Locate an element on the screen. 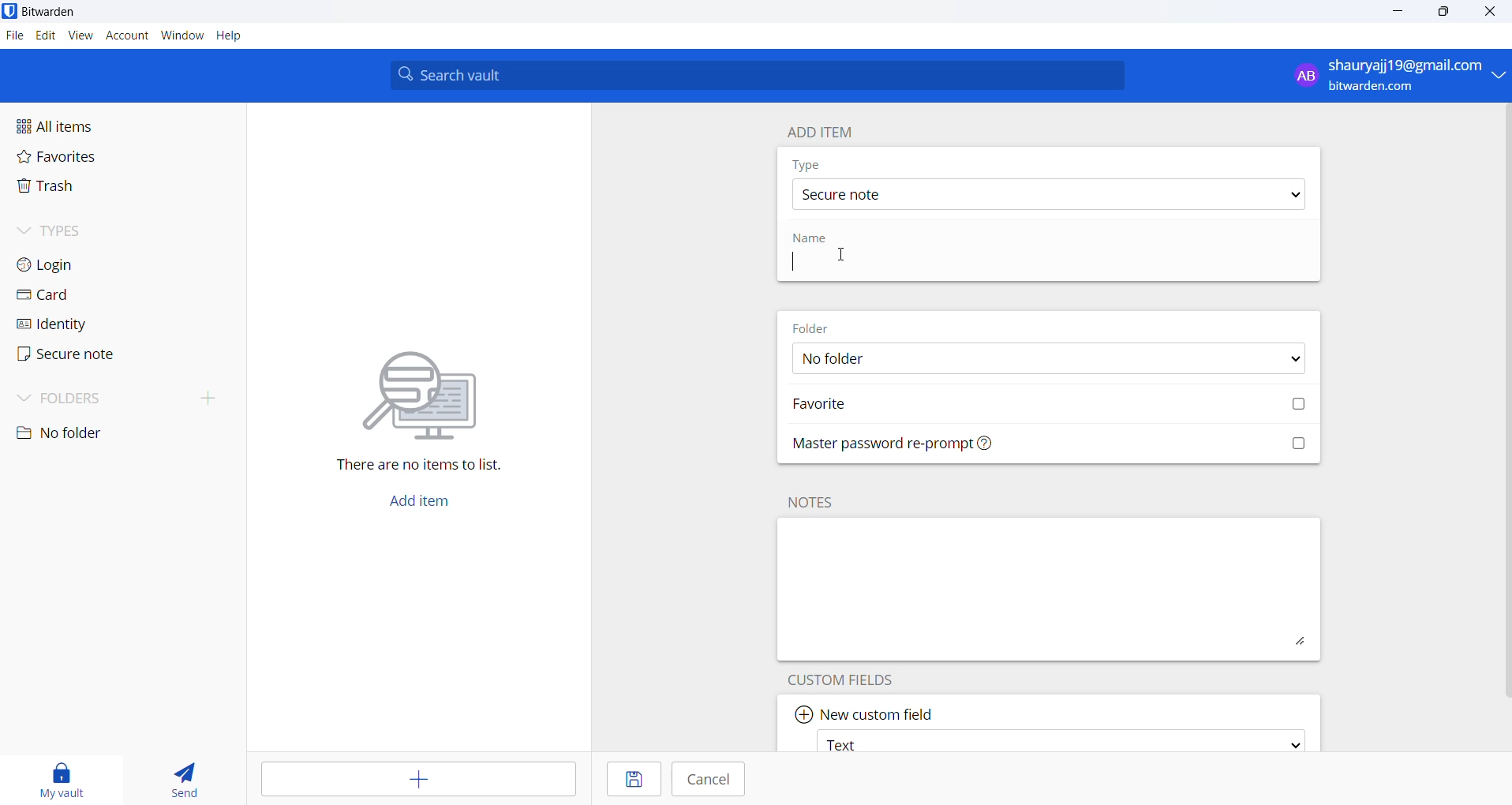 The image size is (1512, 805). account is located at coordinates (128, 36).